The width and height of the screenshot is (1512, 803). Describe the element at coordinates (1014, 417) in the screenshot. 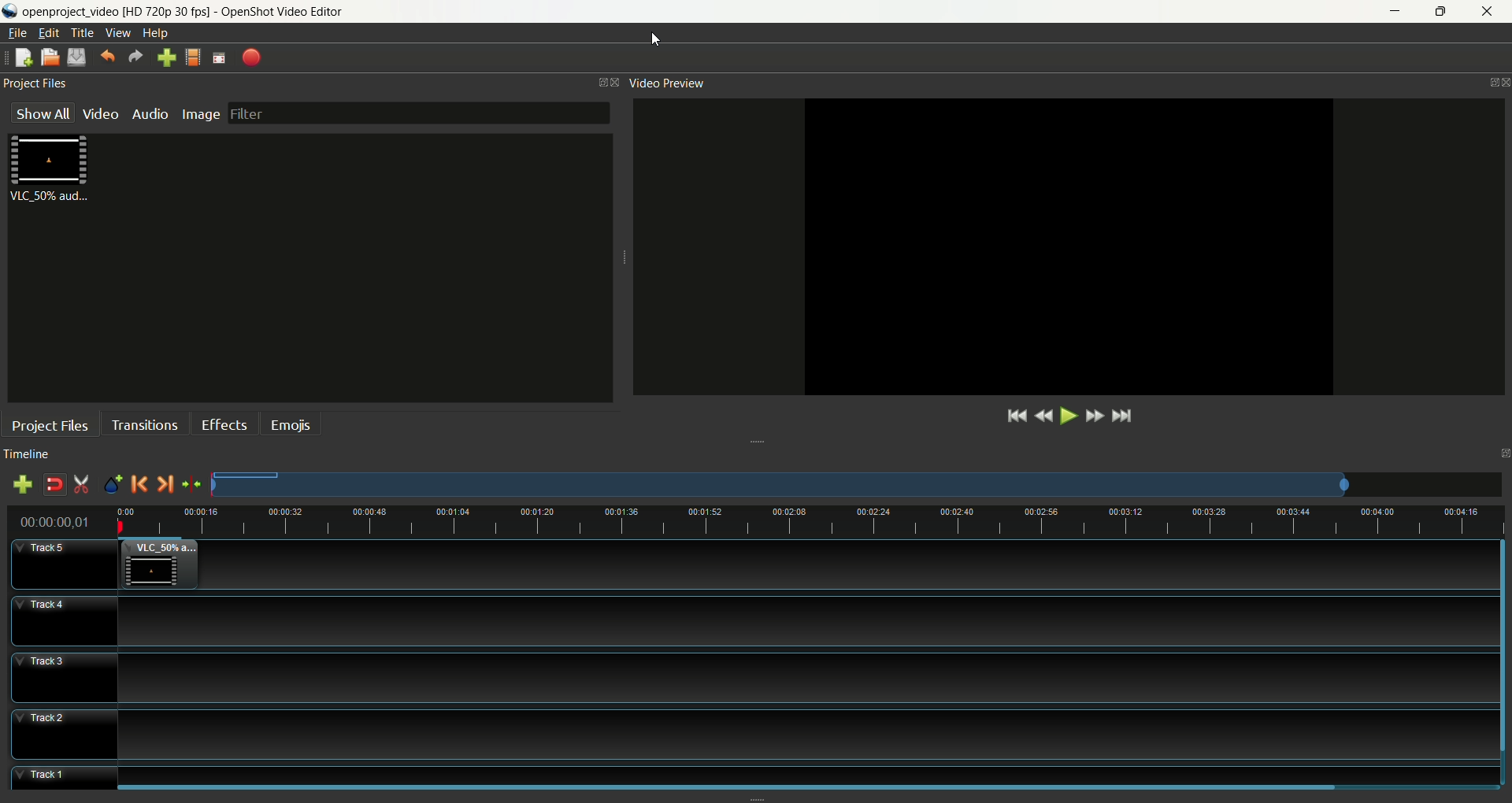

I see `jump to start` at that location.